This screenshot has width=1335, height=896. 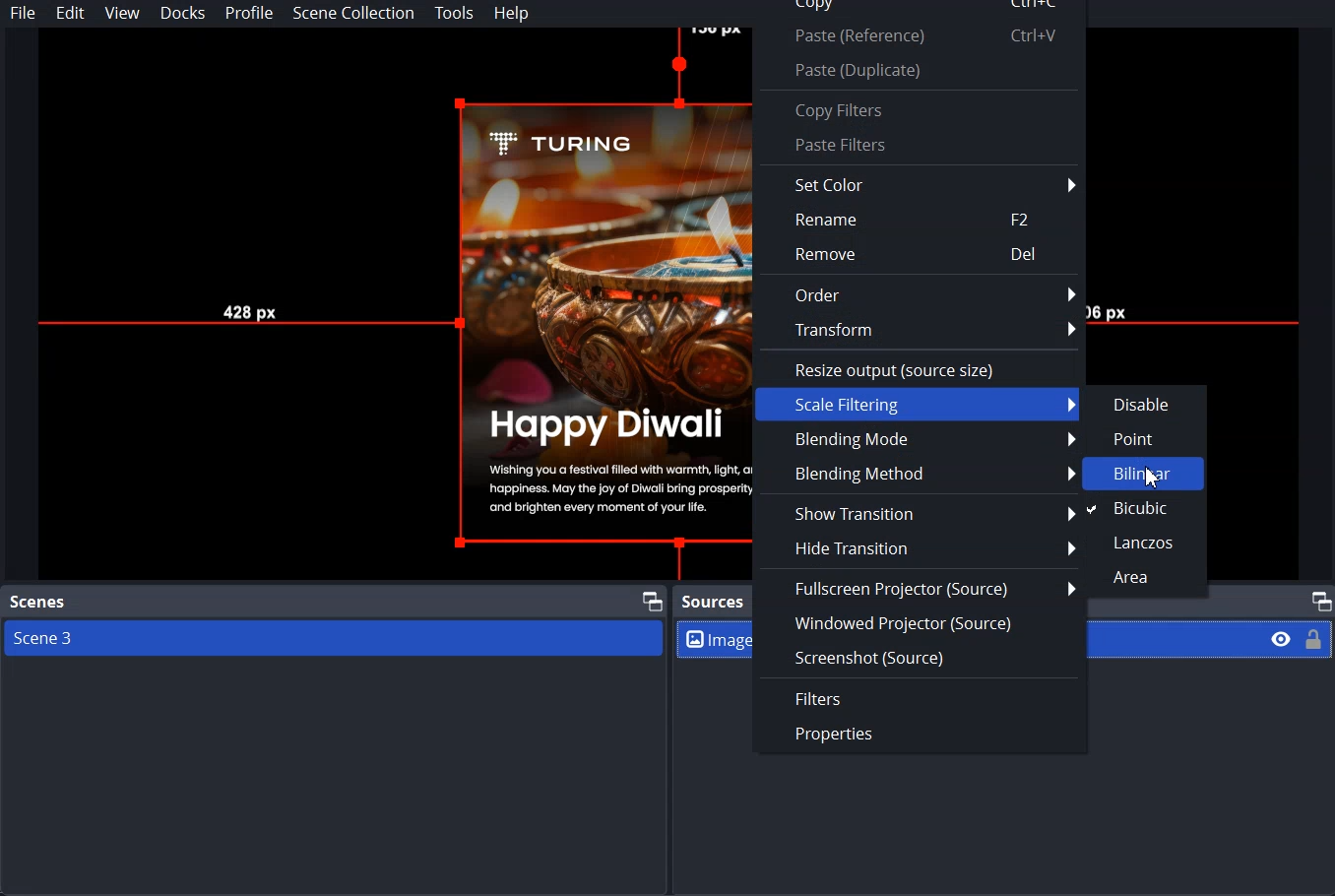 What do you see at coordinates (383, 304) in the screenshot?
I see `Bounding box file preview` at bounding box center [383, 304].